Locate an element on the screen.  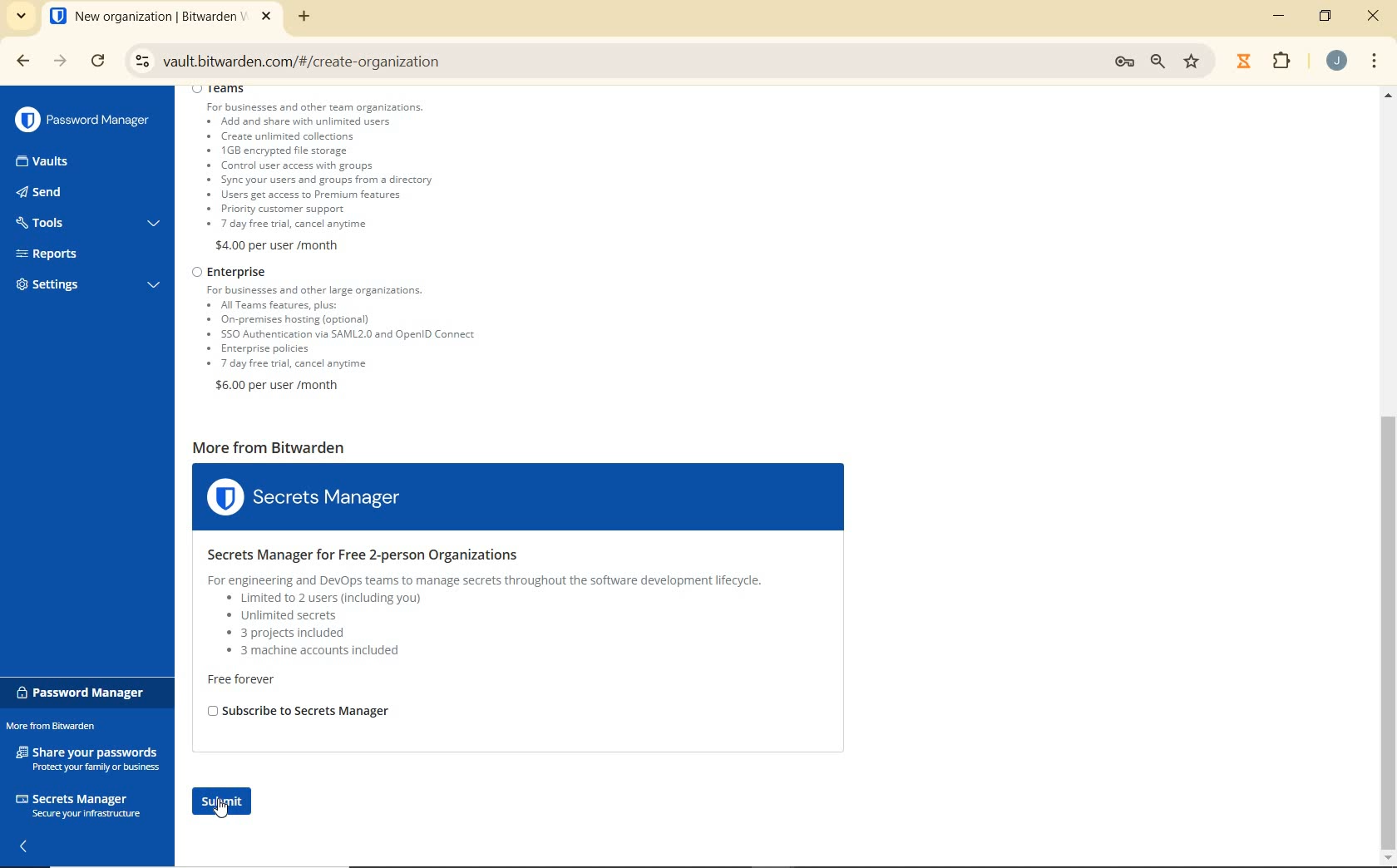
collapse is located at coordinates (26, 848).